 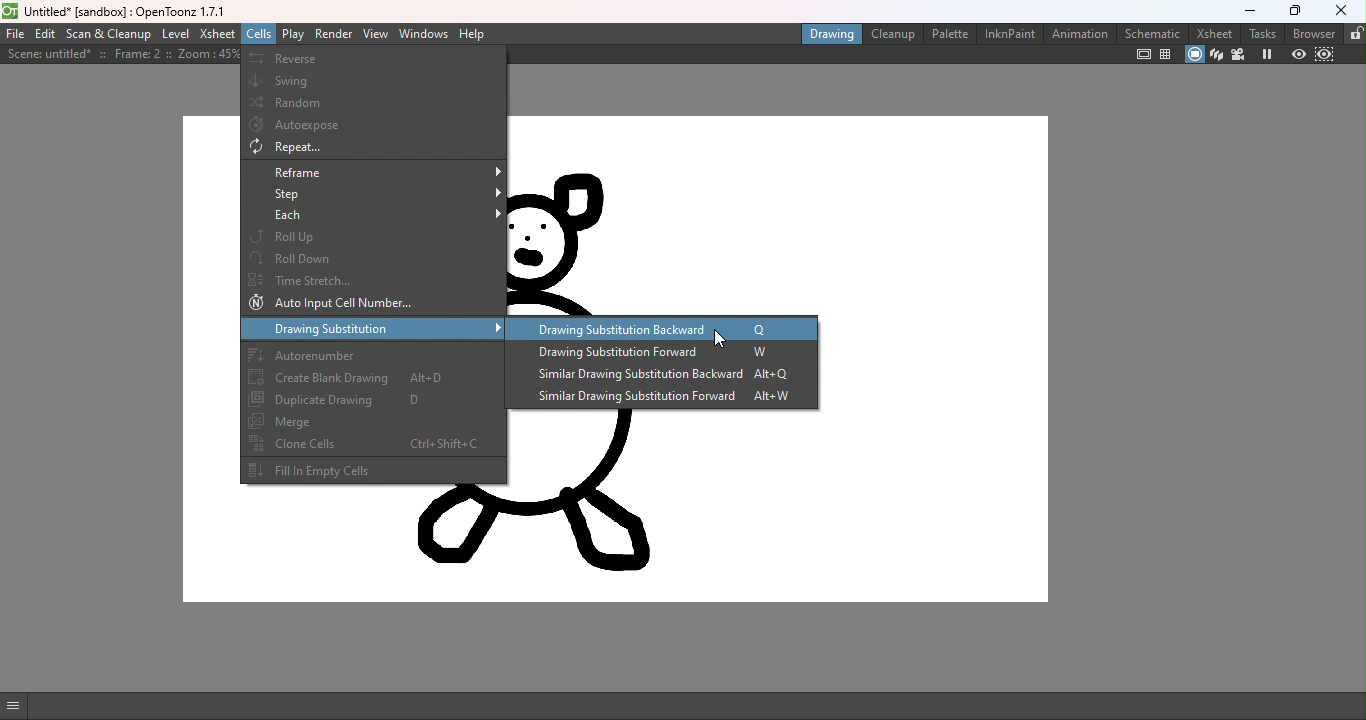 What do you see at coordinates (376, 79) in the screenshot?
I see `Swing` at bounding box center [376, 79].